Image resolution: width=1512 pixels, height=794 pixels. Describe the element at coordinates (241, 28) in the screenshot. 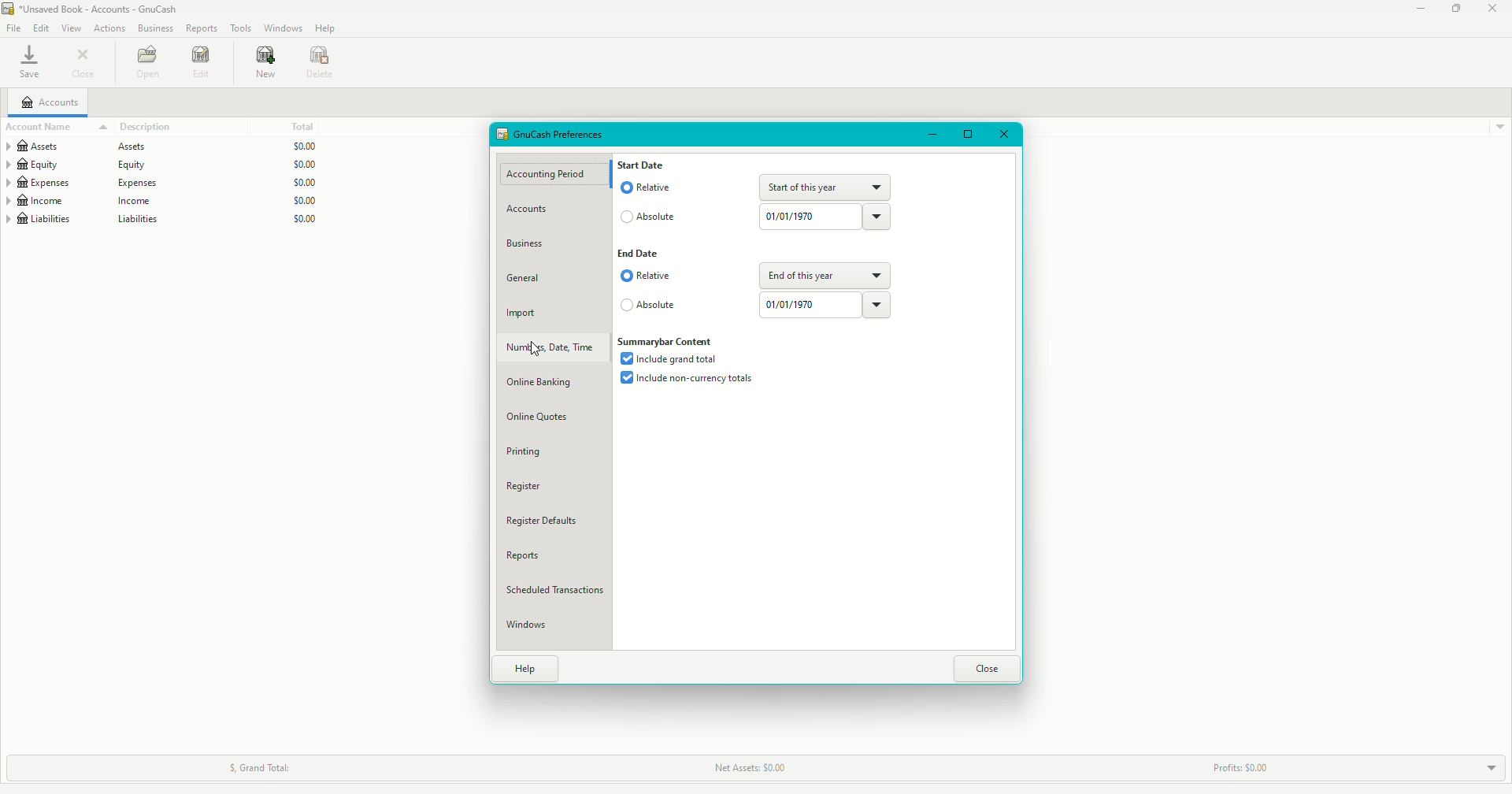

I see `Tools` at that location.